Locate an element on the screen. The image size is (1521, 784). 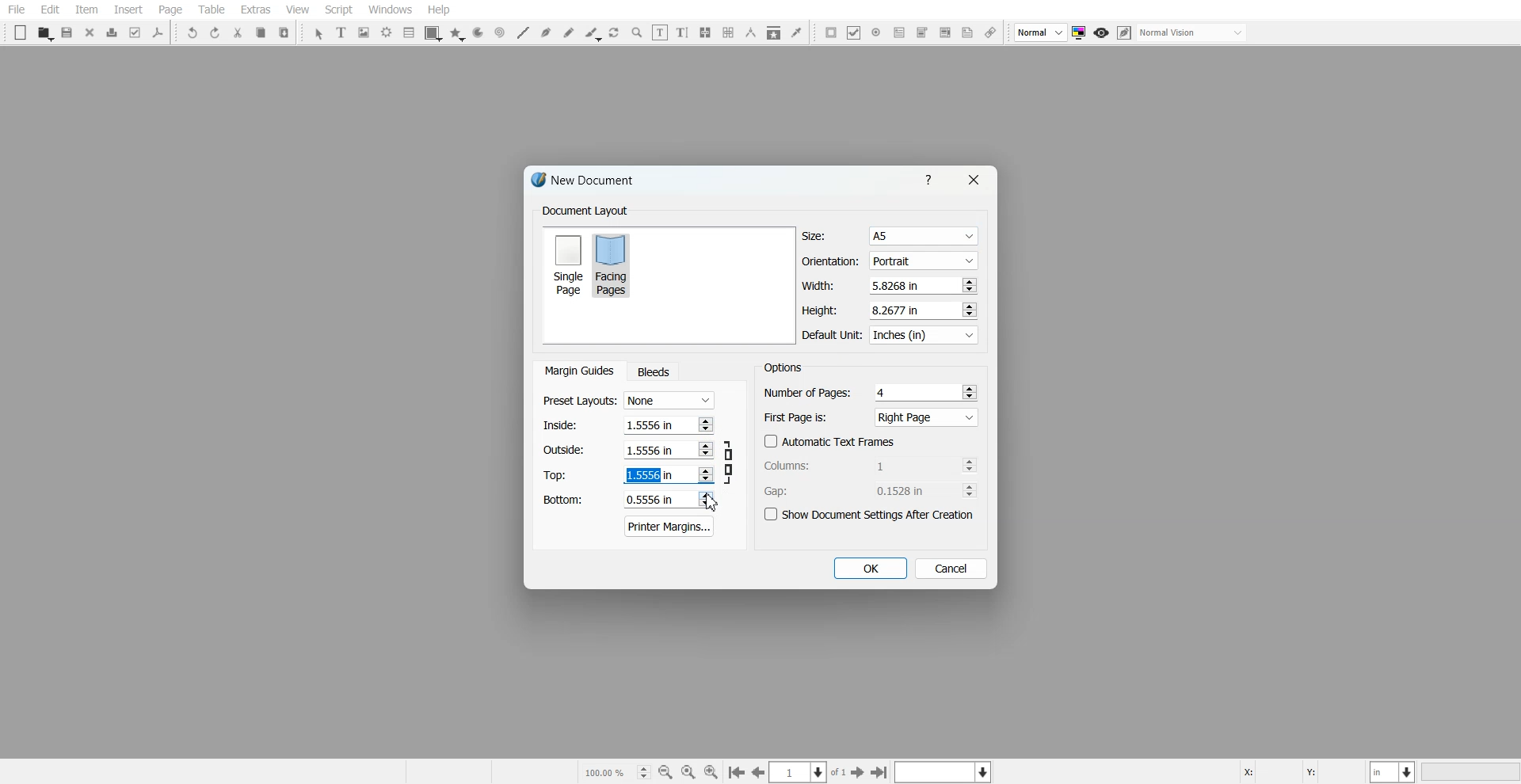
Margin Guides is located at coordinates (578, 371).